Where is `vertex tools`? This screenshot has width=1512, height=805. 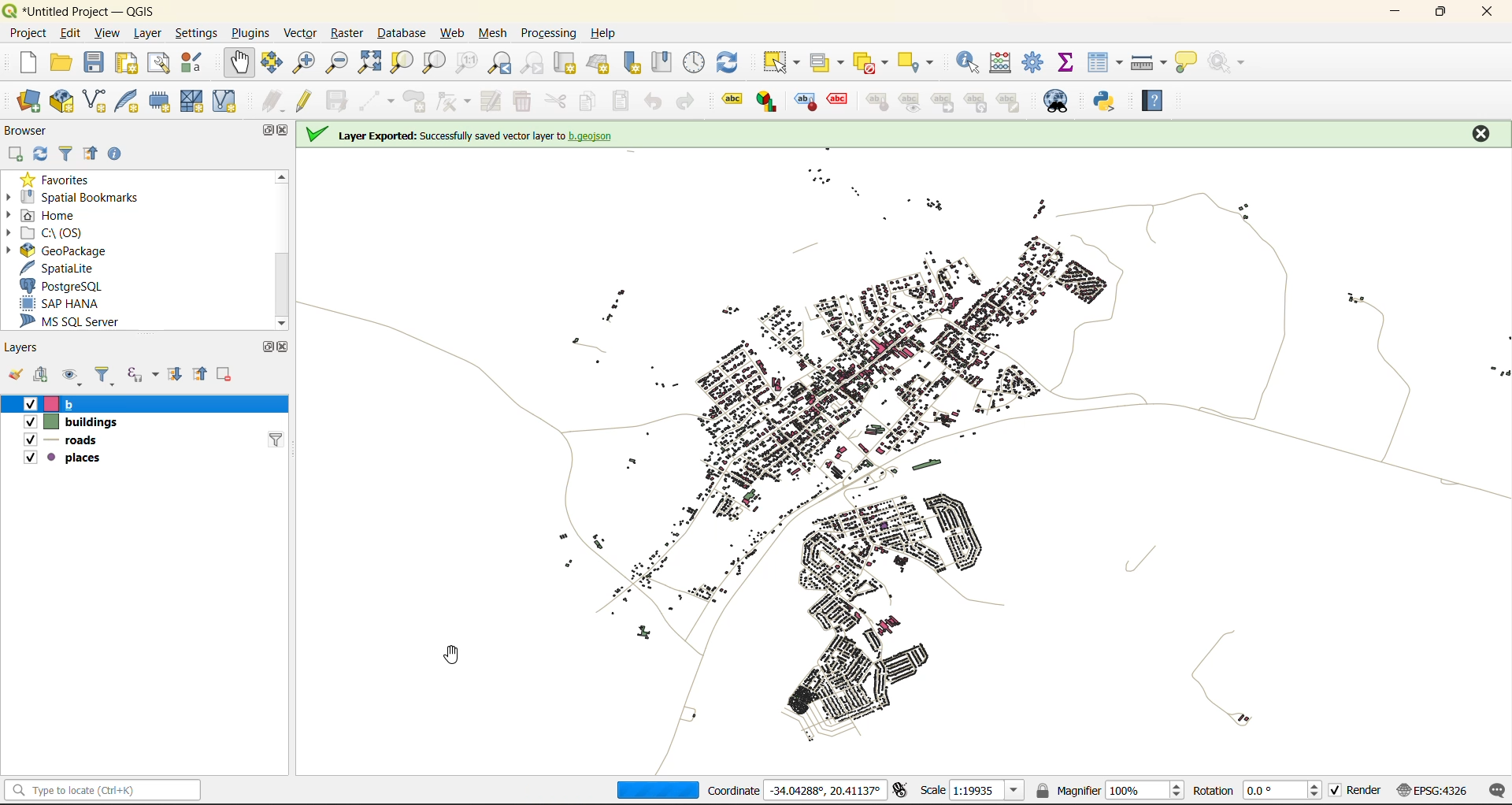
vertex tools is located at coordinates (450, 101).